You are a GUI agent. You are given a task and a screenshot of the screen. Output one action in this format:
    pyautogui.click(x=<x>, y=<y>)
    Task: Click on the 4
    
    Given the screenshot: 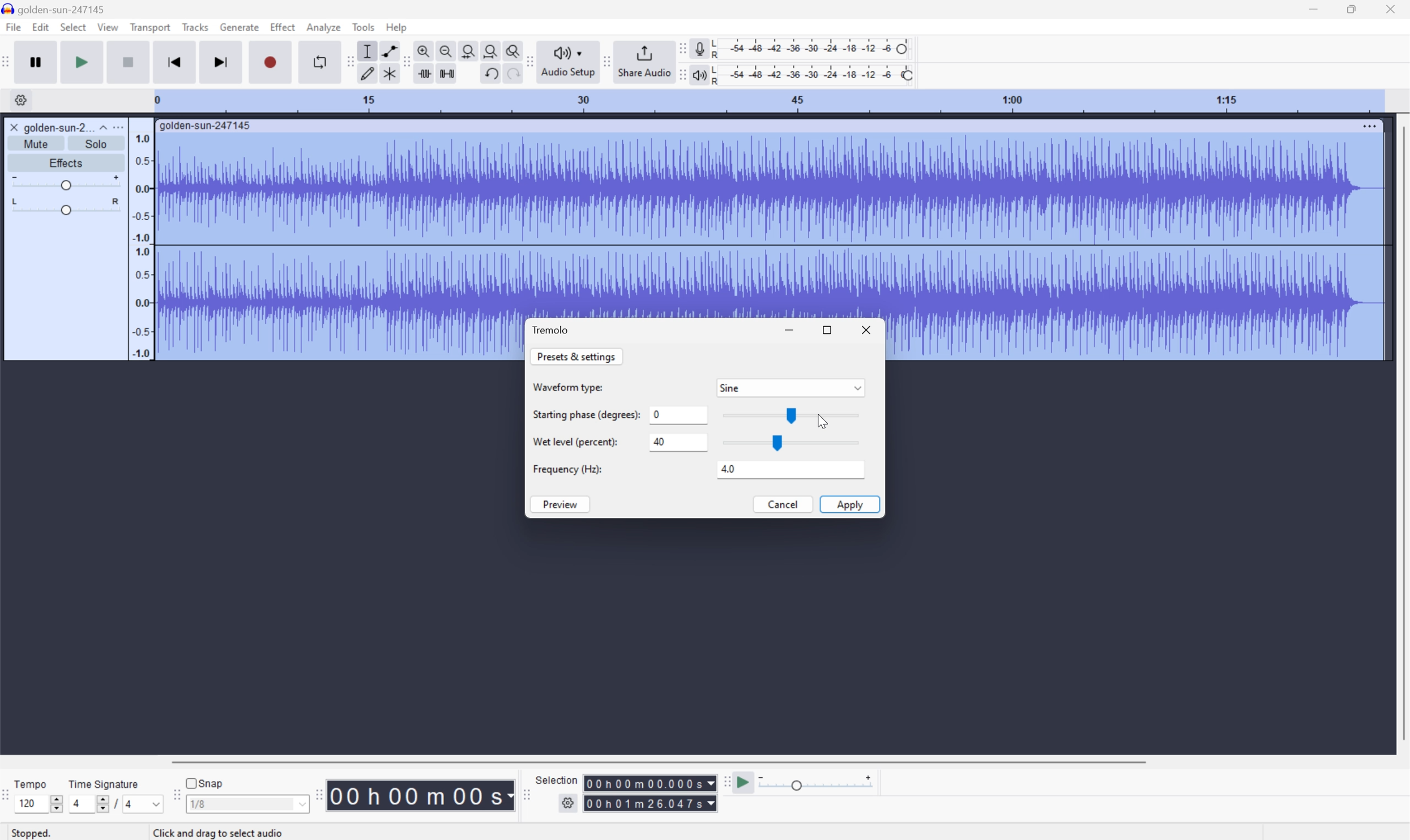 What is the action you would take?
    pyautogui.click(x=144, y=804)
    